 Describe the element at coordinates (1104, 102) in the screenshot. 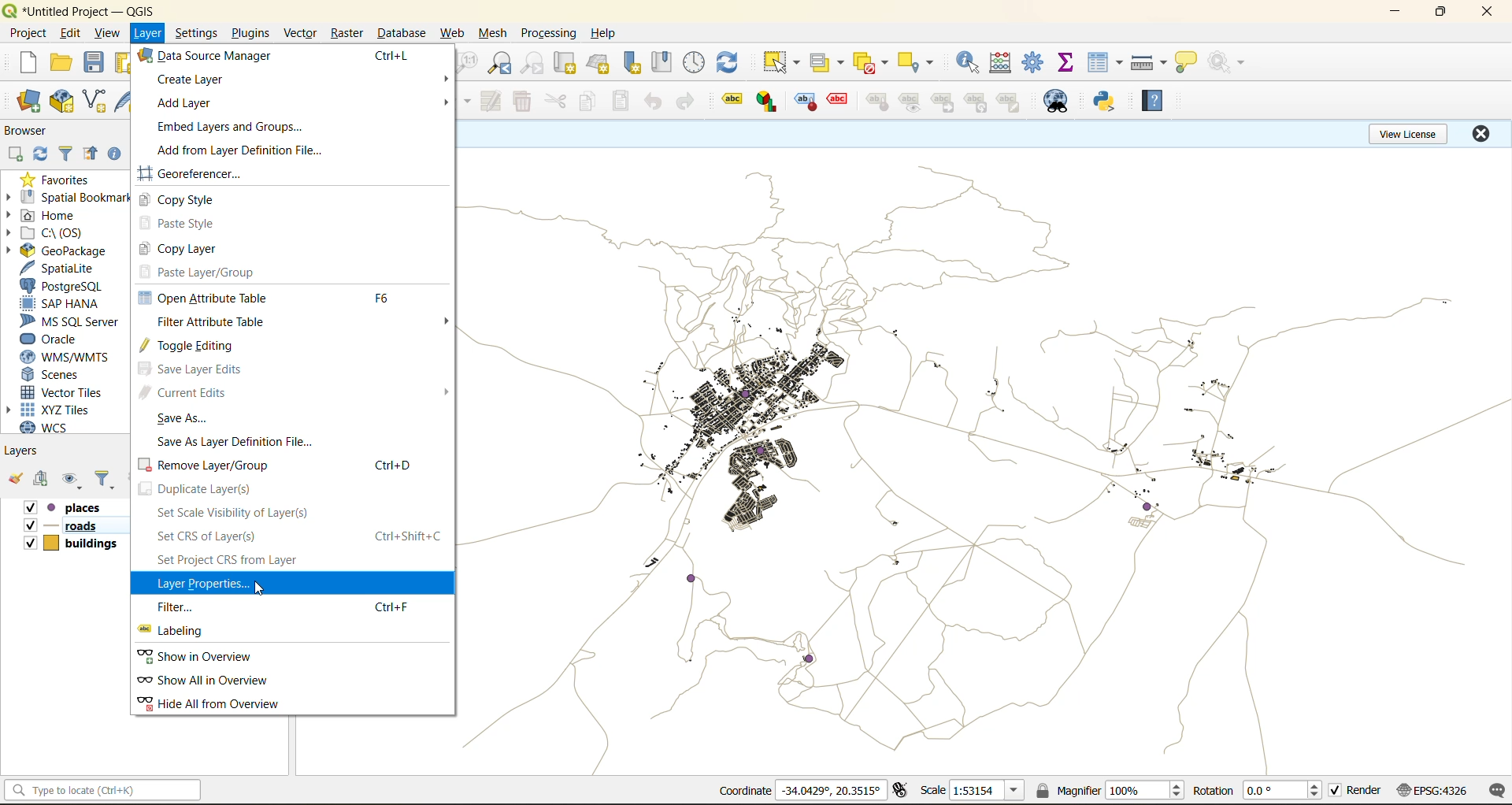

I see `python` at that location.